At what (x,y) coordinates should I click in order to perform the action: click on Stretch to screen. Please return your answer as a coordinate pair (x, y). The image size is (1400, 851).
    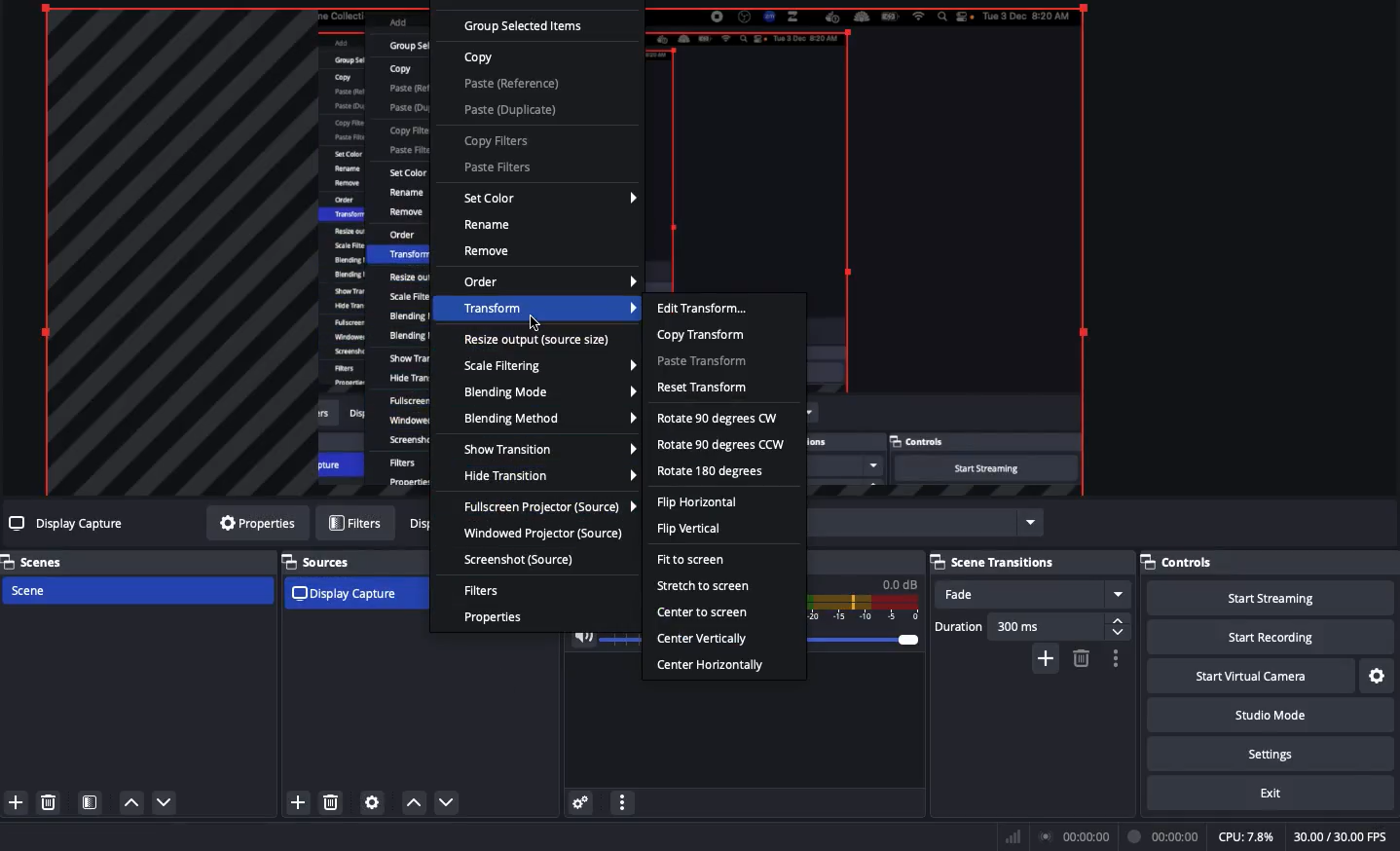
    Looking at the image, I should click on (702, 585).